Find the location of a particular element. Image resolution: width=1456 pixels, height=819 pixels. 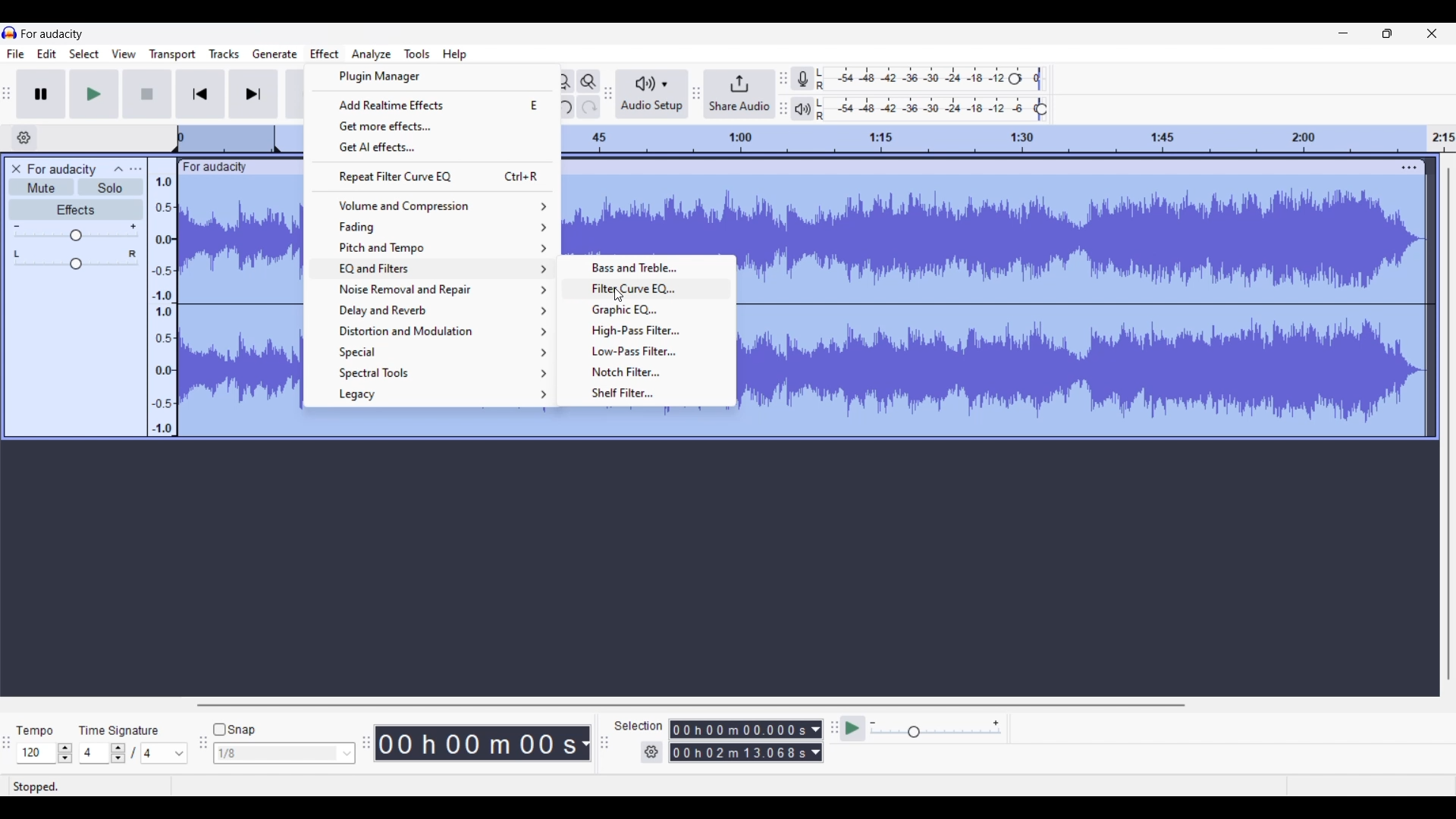

EQ and filter options is located at coordinates (434, 269).